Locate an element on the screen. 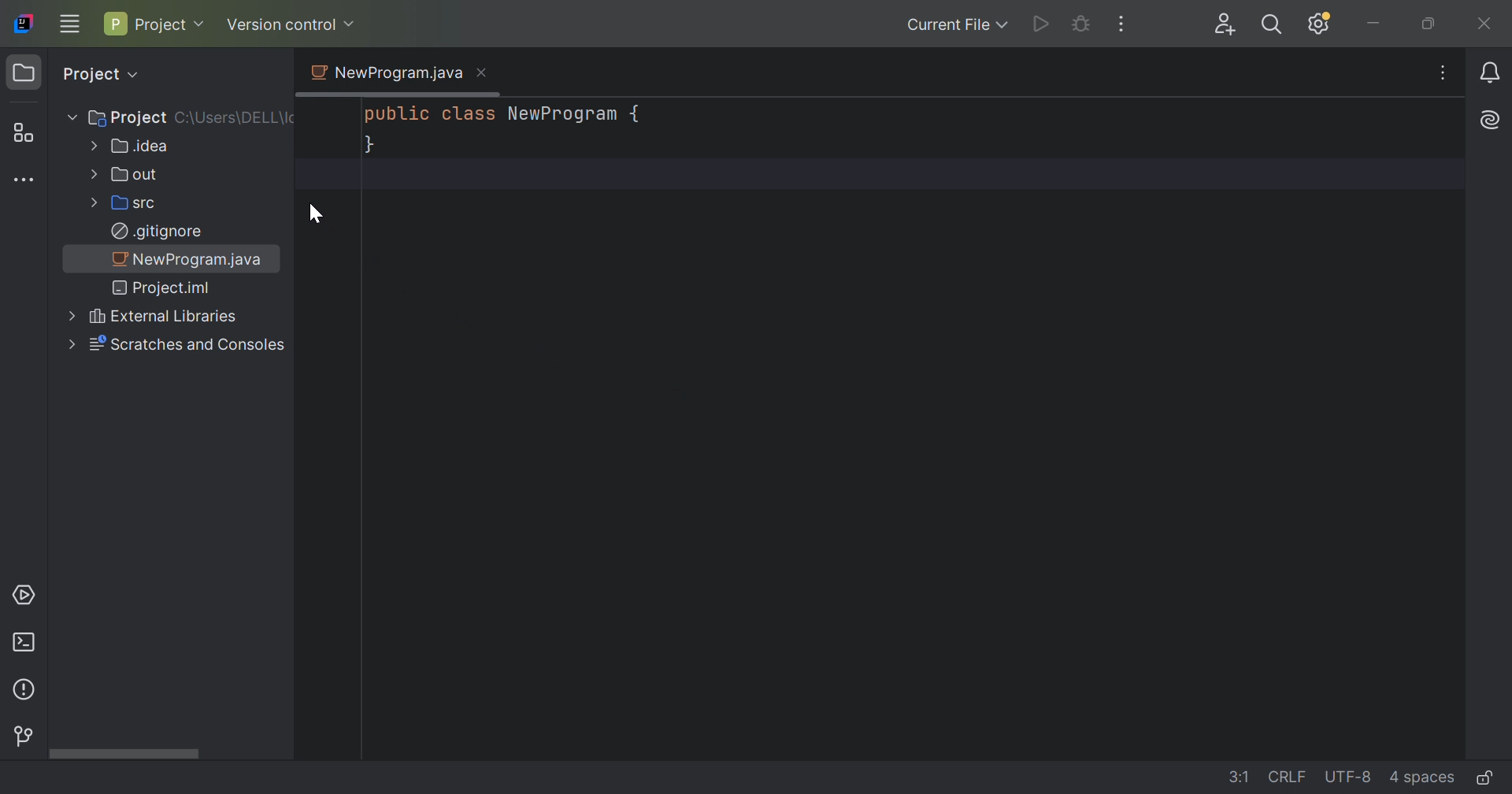 This screenshot has width=1512, height=794. CRLF is located at coordinates (1281, 775).